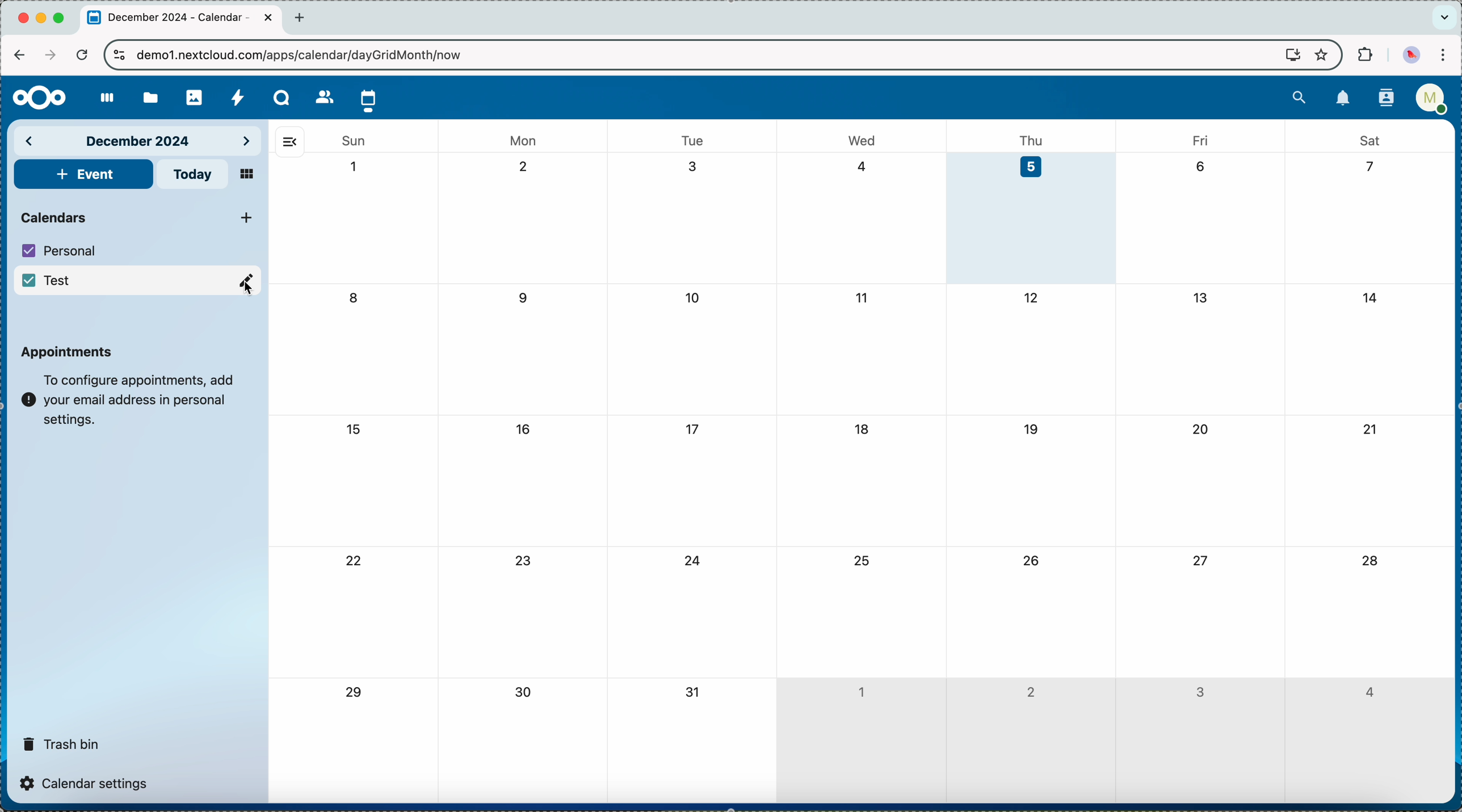  What do you see at coordinates (369, 99) in the screenshot?
I see `click on calendar` at bounding box center [369, 99].